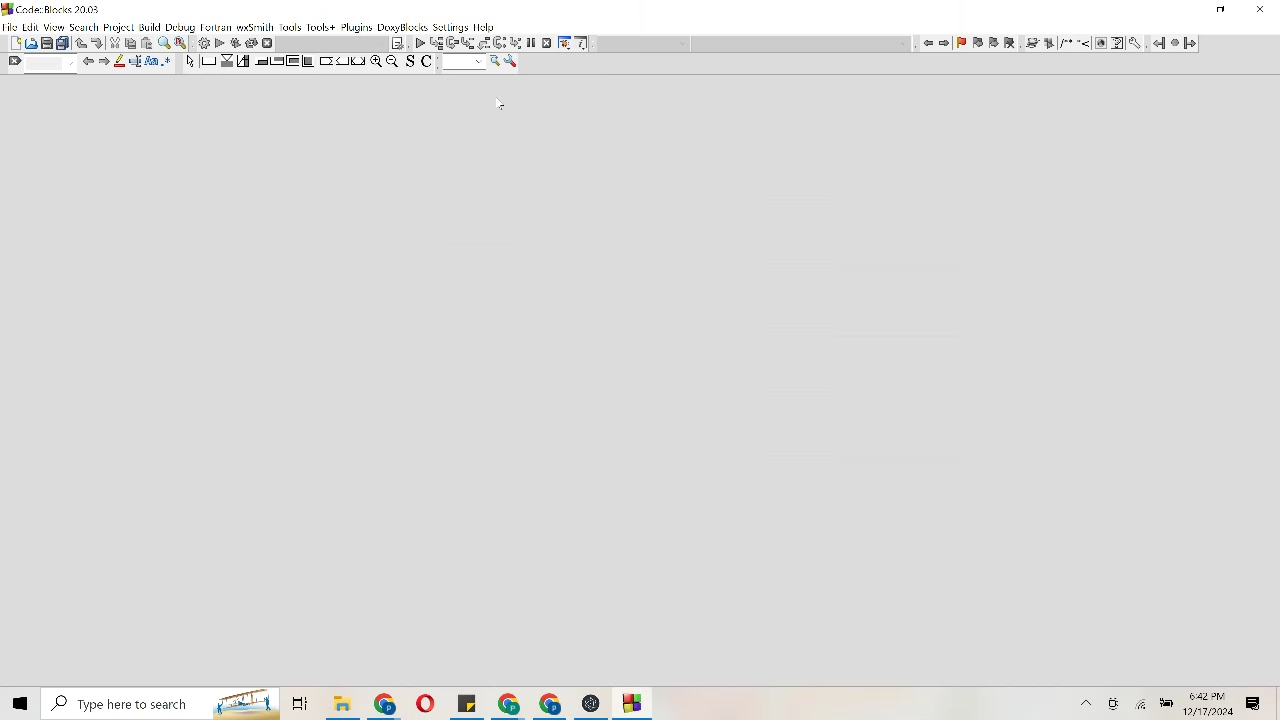  What do you see at coordinates (321, 28) in the screenshot?
I see `Tools+` at bounding box center [321, 28].